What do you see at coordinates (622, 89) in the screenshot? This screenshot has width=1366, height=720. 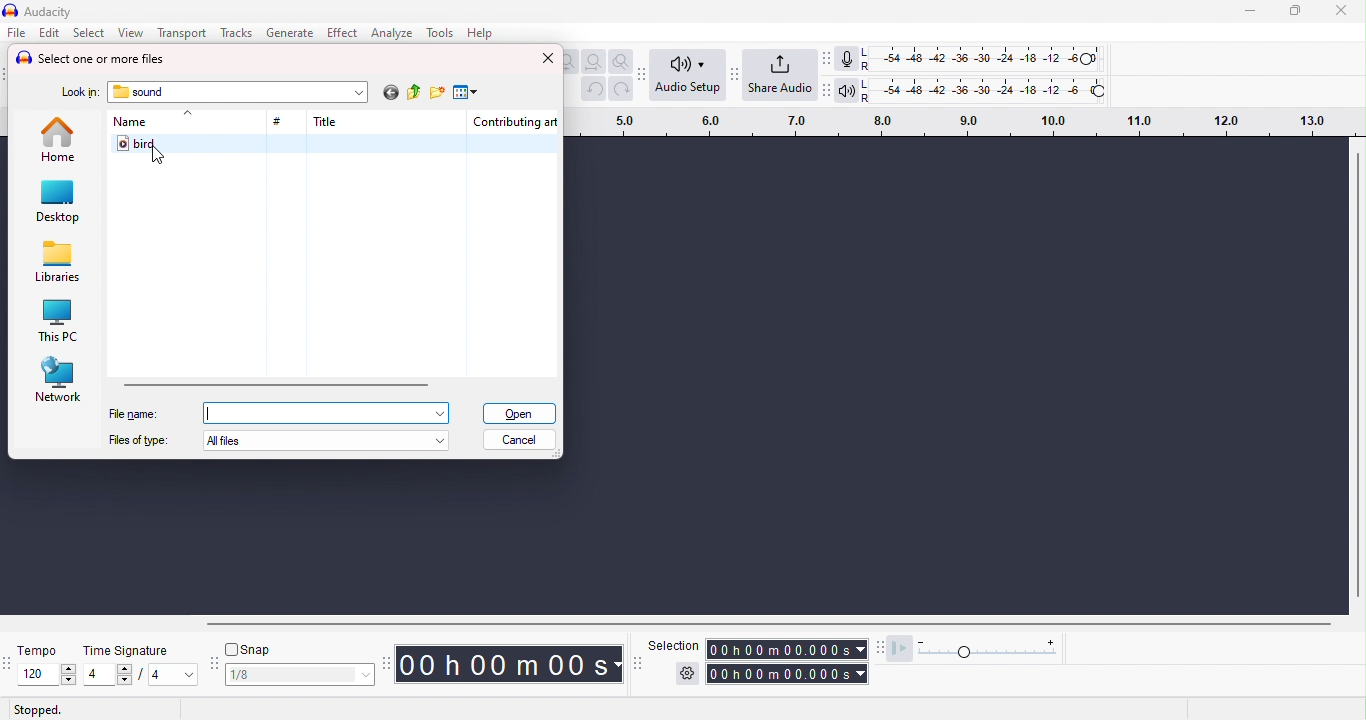 I see `redo` at bounding box center [622, 89].